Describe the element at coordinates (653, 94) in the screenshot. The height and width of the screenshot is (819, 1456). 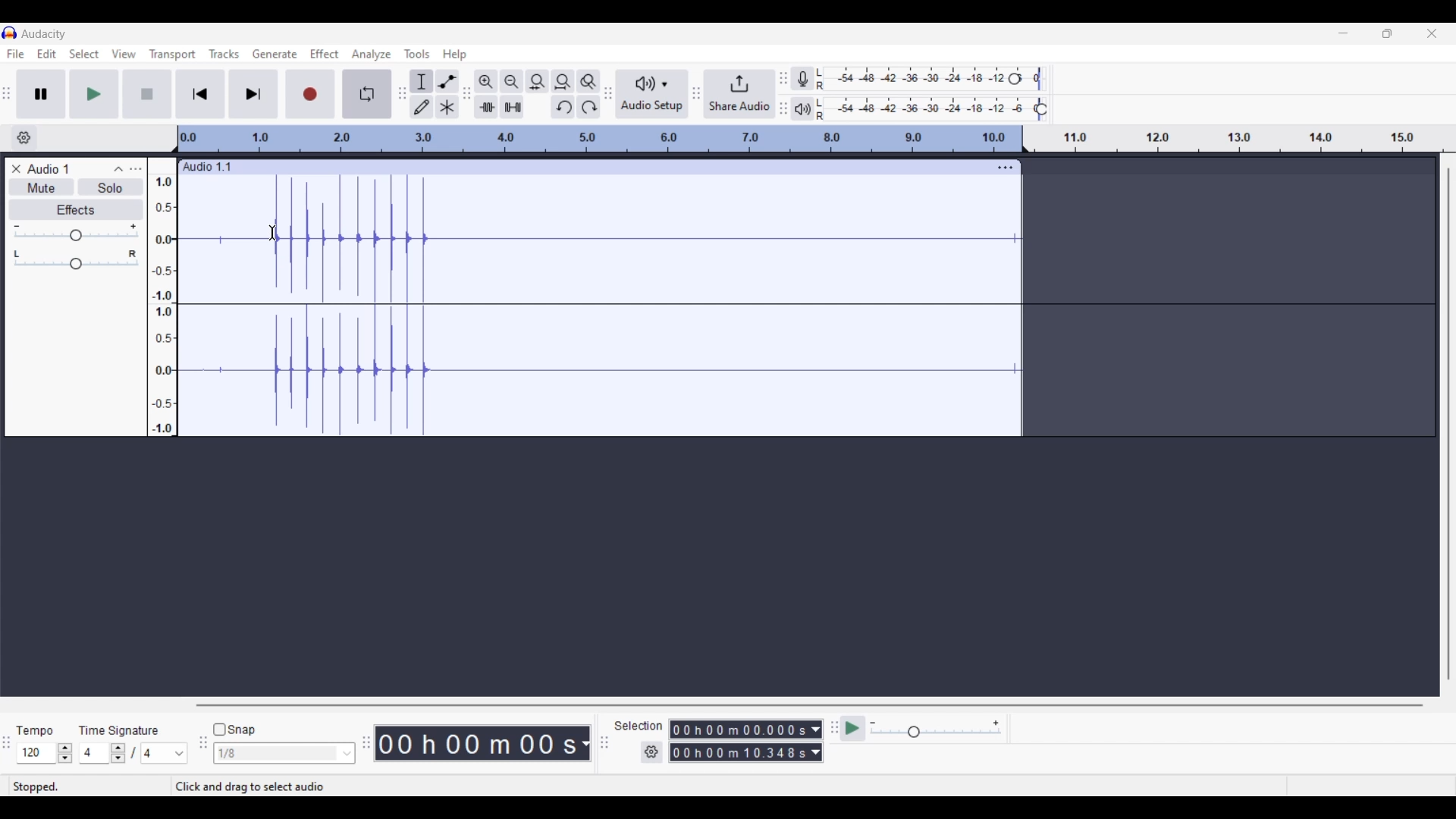
I see `Audio setup` at that location.